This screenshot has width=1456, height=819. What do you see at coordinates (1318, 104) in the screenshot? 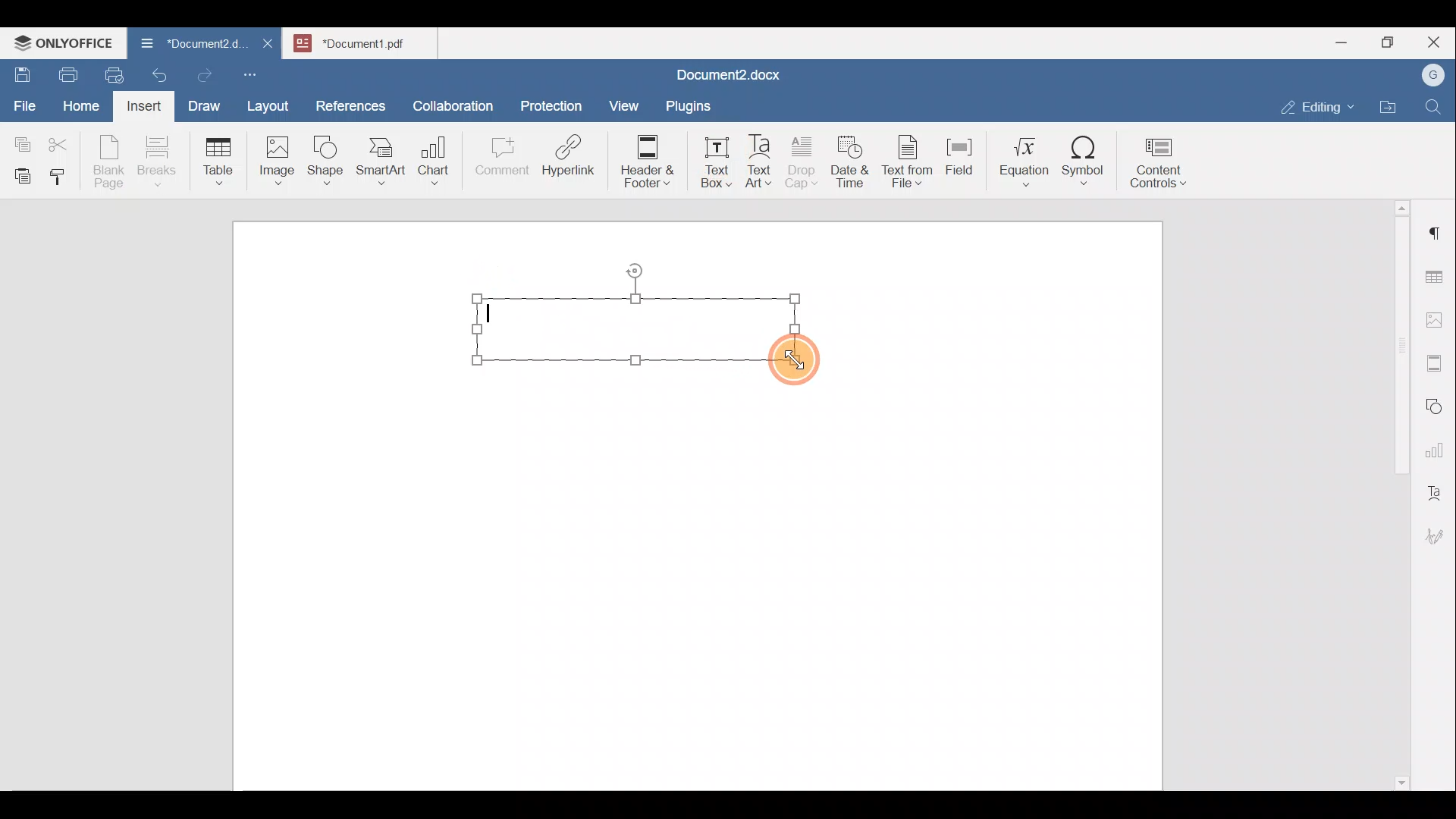
I see `Editing mode` at bounding box center [1318, 104].